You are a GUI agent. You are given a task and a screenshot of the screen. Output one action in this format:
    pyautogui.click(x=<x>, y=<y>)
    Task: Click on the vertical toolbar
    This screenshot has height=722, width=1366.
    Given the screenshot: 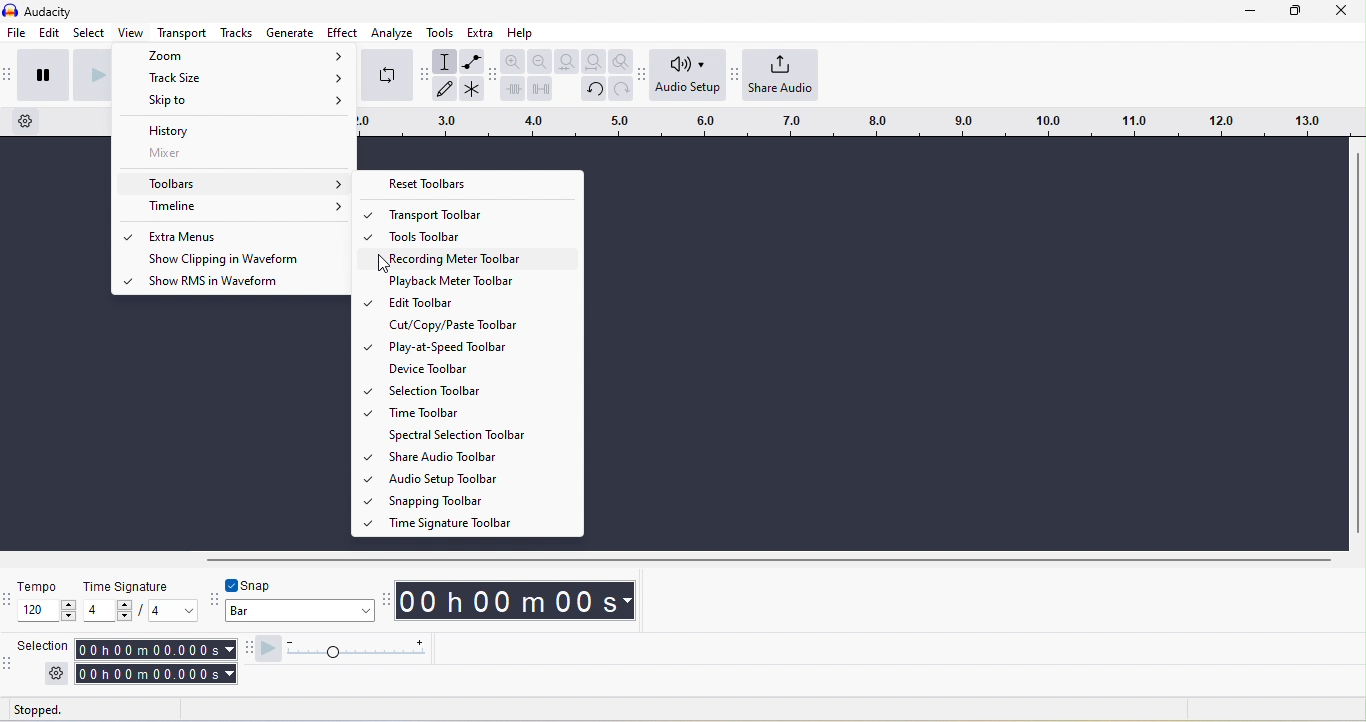 What is the action you would take?
    pyautogui.click(x=1358, y=343)
    